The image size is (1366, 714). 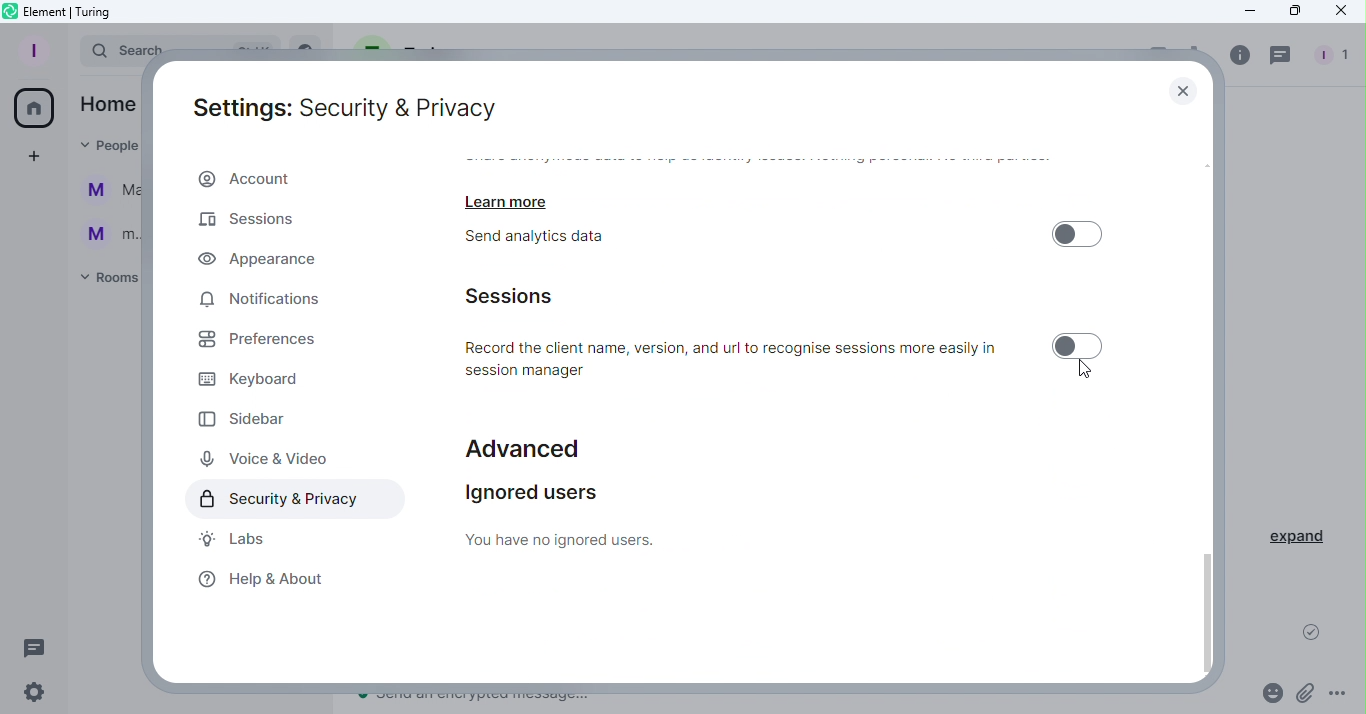 What do you see at coordinates (37, 105) in the screenshot?
I see `Home` at bounding box center [37, 105].